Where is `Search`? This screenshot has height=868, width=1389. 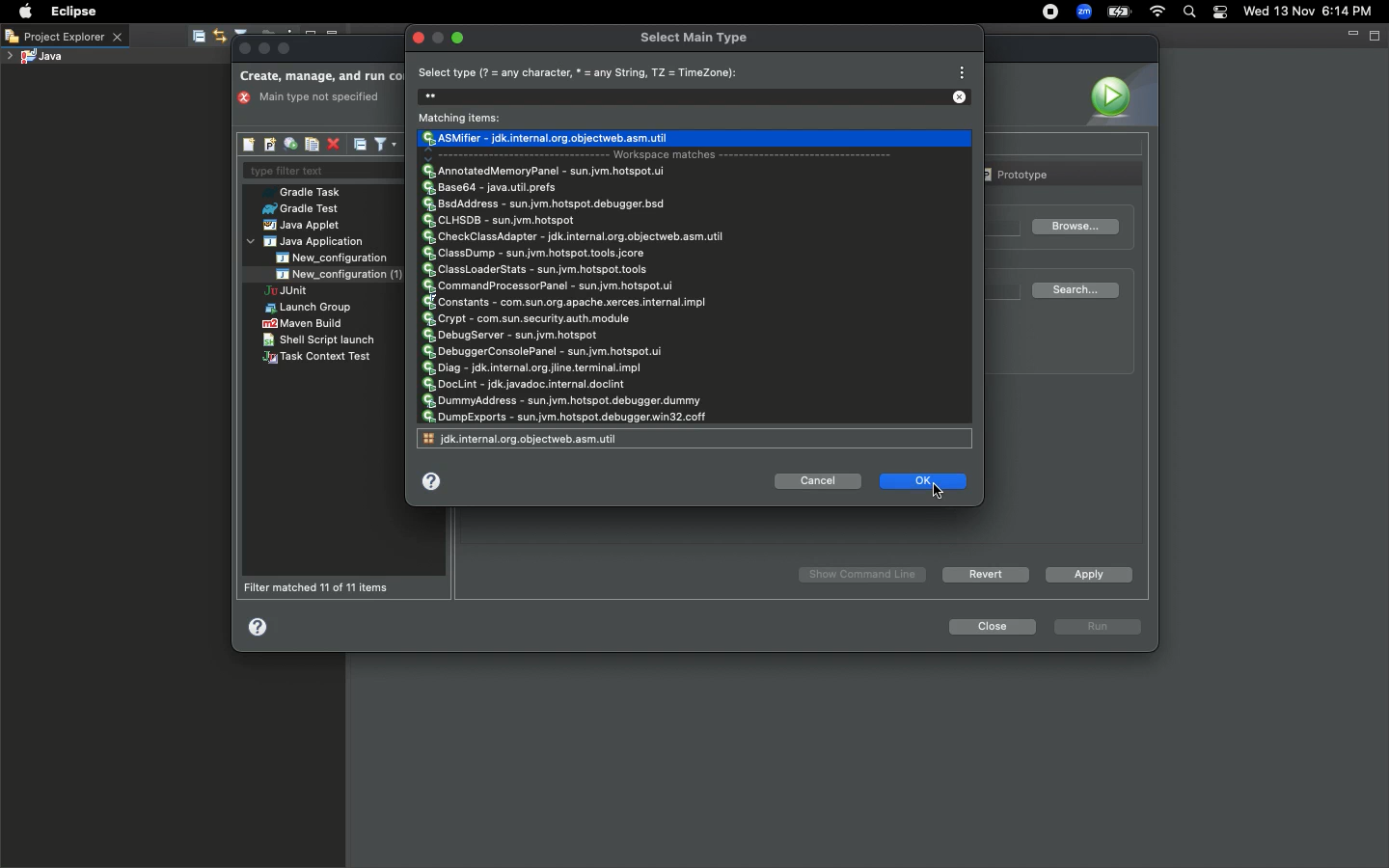
Search is located at coordinates (697, 98).